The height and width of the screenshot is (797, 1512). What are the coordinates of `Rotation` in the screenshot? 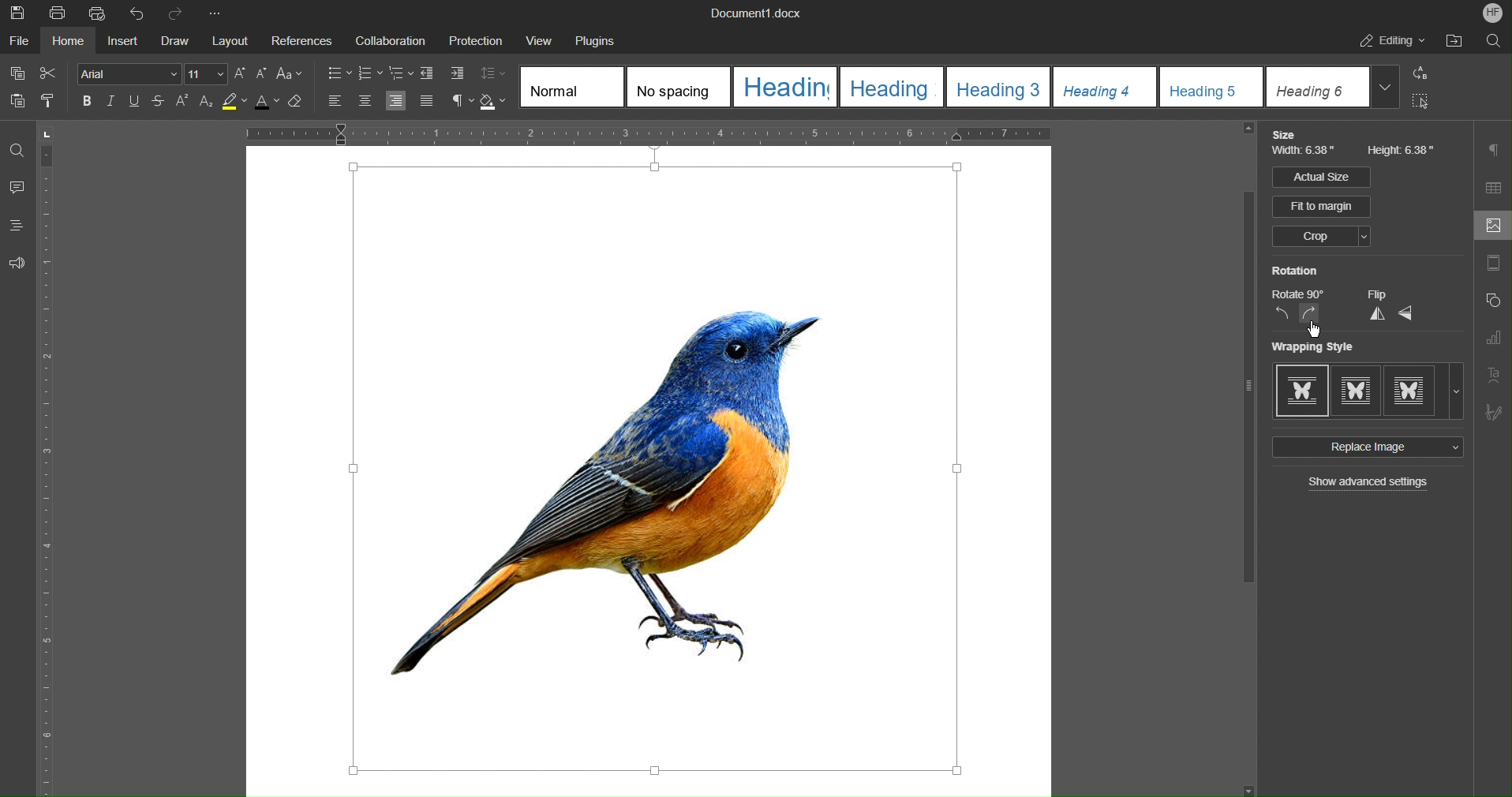 It's located at (1297, 270).